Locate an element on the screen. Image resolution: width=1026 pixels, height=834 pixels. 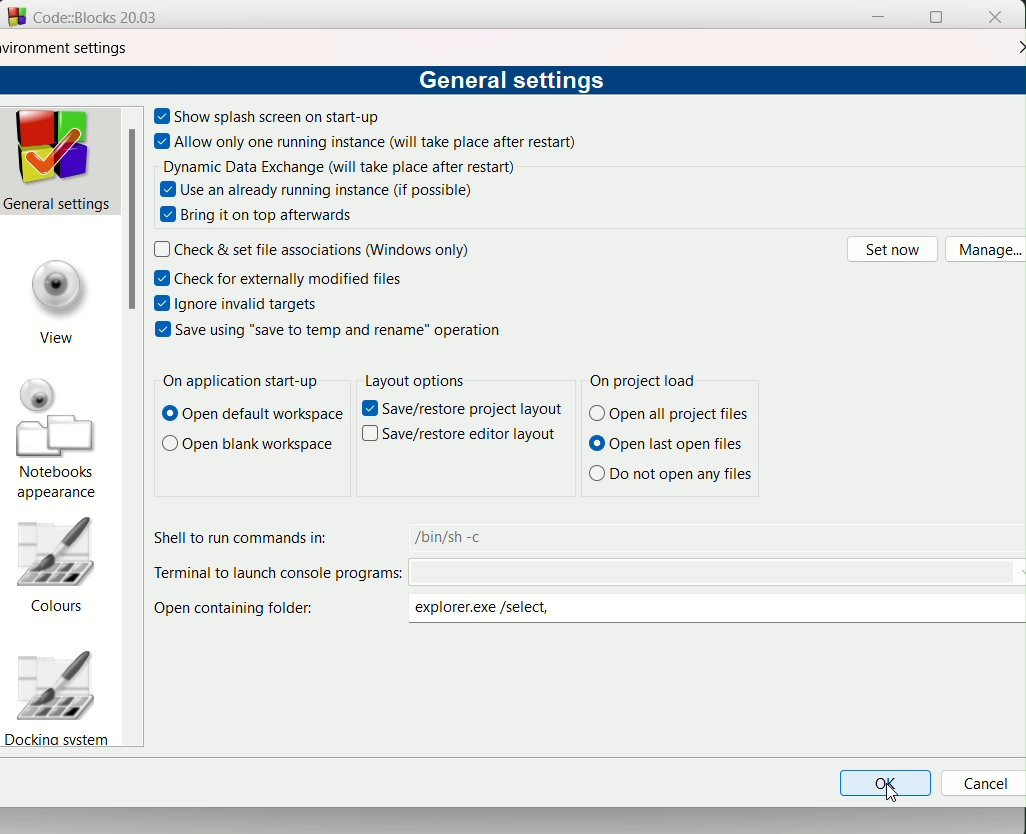
Open last open files is located at coordinates (669, 446).